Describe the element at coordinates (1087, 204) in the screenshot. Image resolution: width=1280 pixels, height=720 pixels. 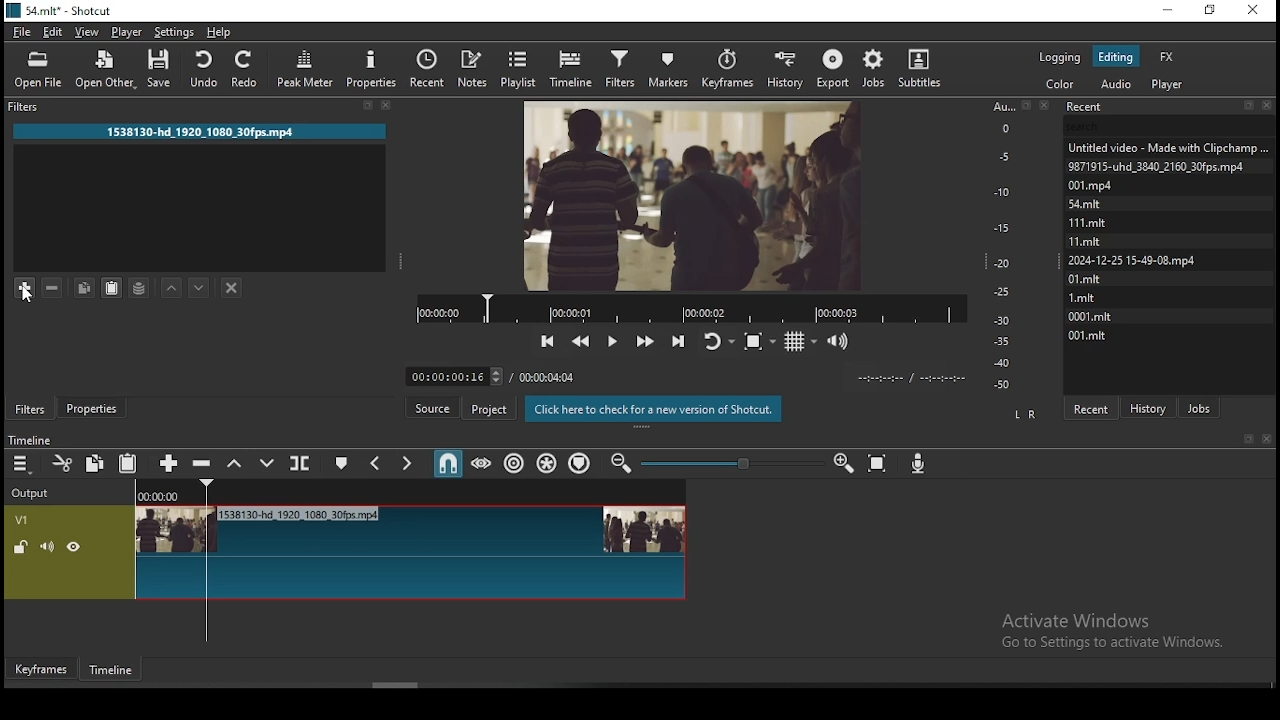
I see `54.mit` at that location.